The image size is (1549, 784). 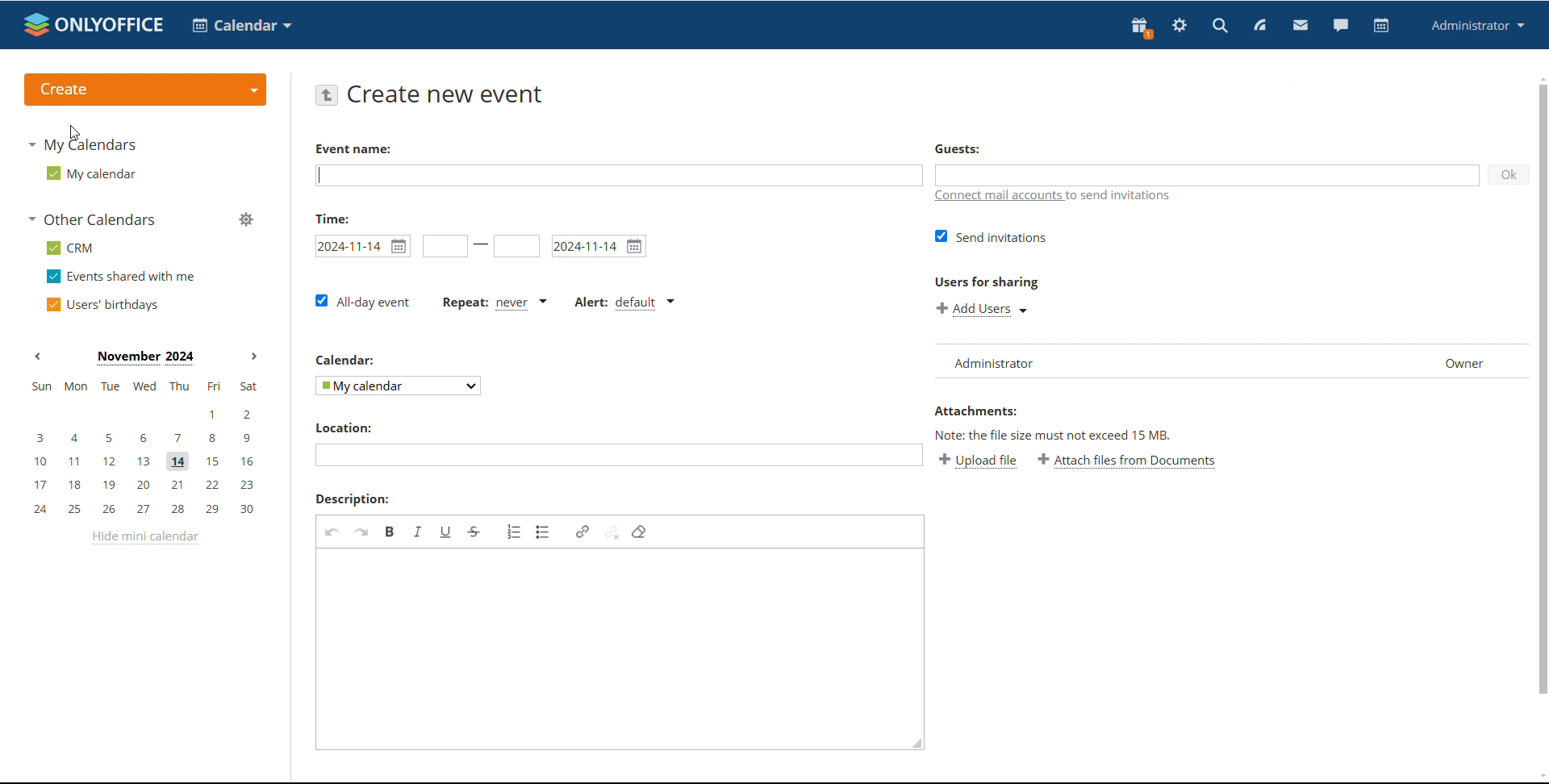 What do you see at coordinates (342, 427) in the screenshot?
I see `location` at bounding box center [342, 427].